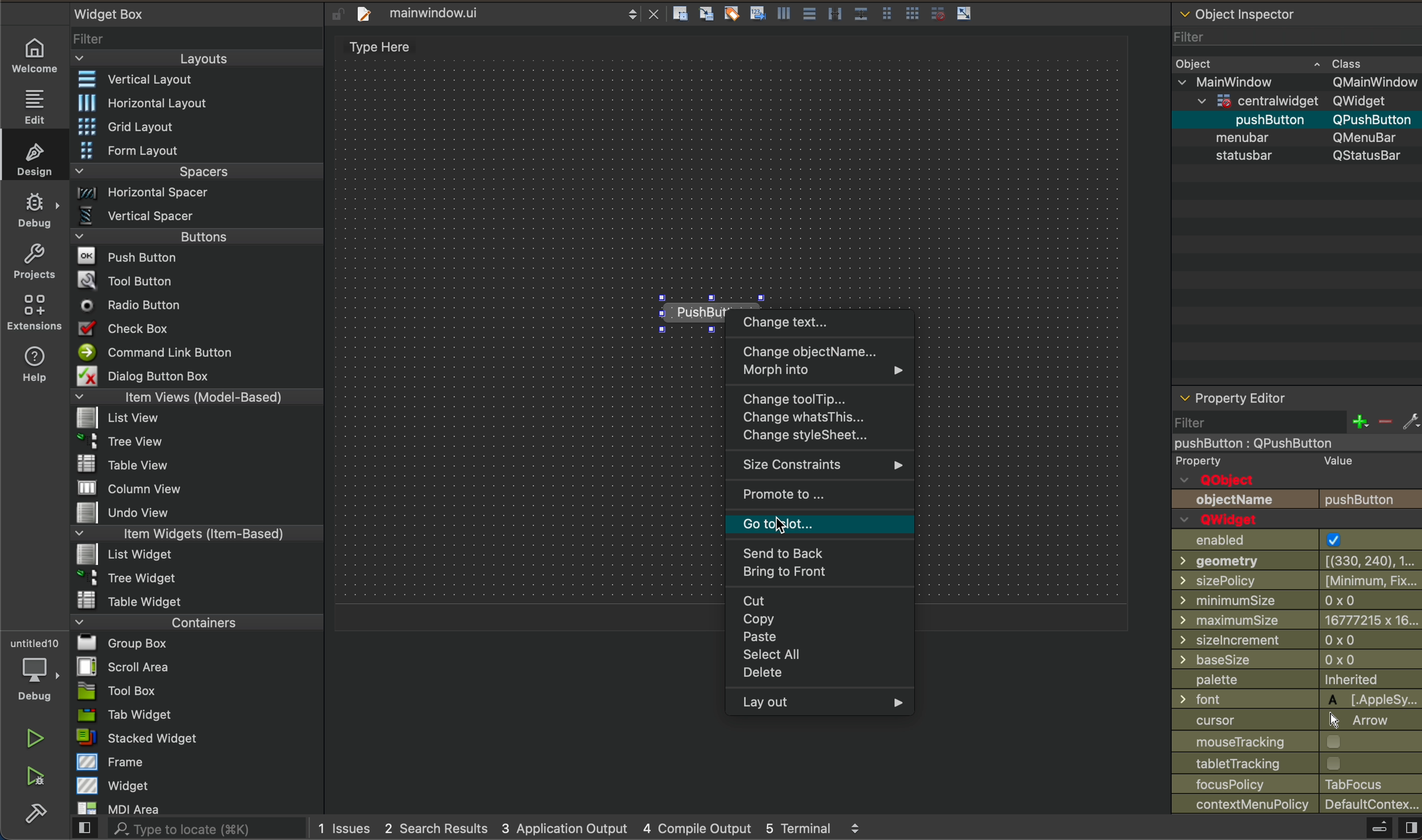 The height and width of the screenshot is (840, 1422). Describe the element at coordinates (657, 14) in the screenshot. I see `close` at that location.